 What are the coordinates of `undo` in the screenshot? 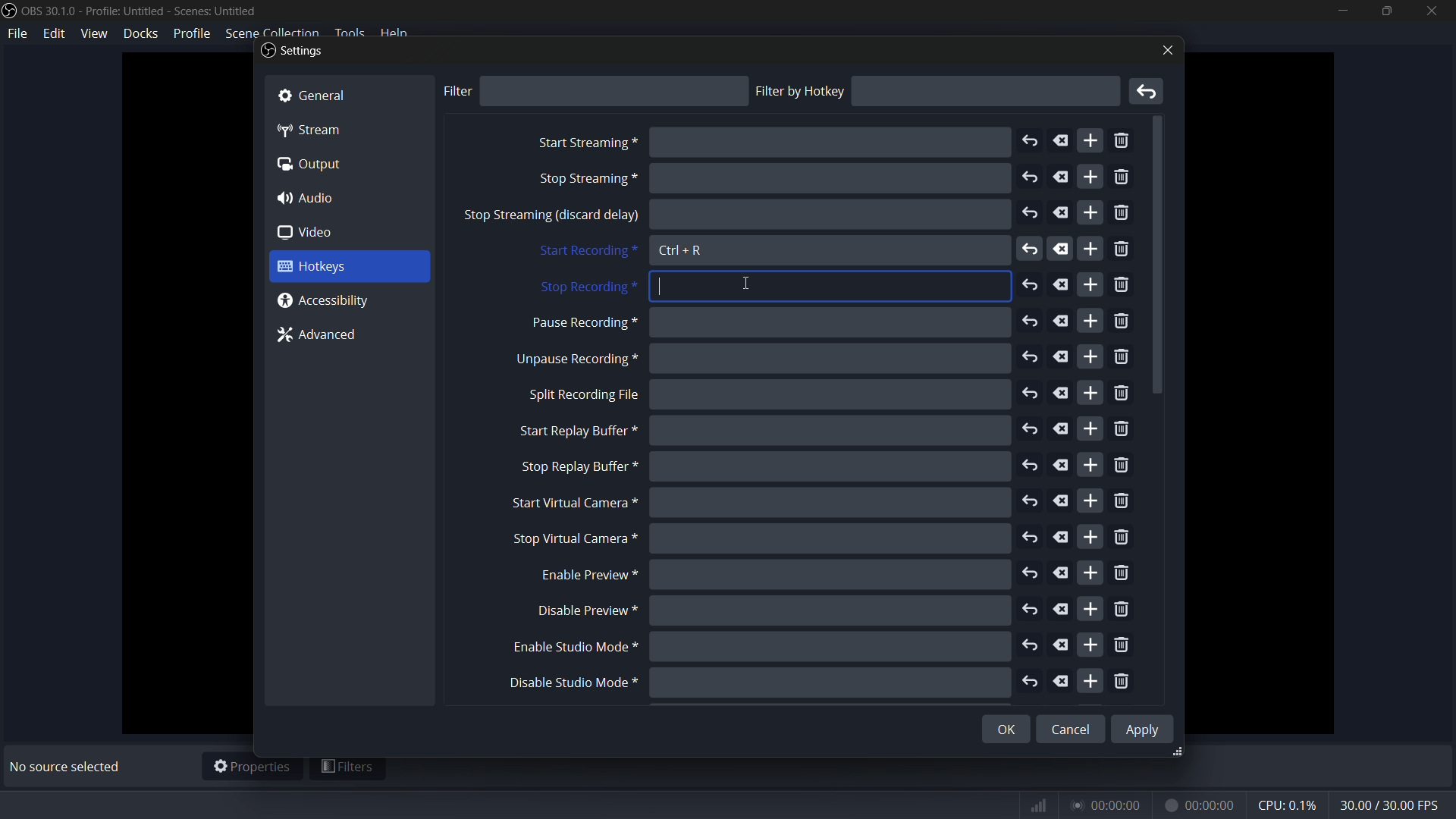 It's located at (1032, 538).